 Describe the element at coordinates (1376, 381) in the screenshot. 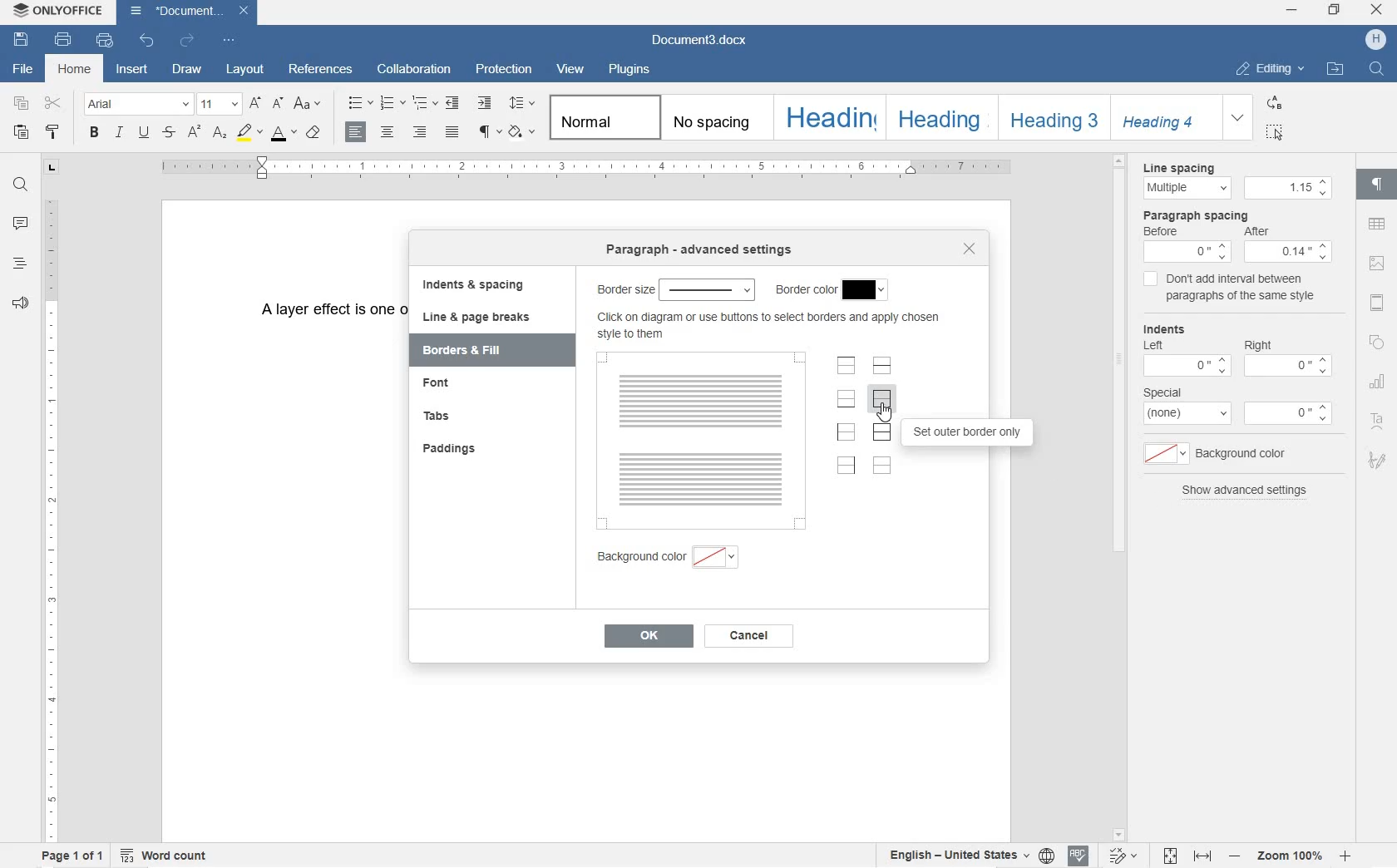

I see `CHART` at that location.